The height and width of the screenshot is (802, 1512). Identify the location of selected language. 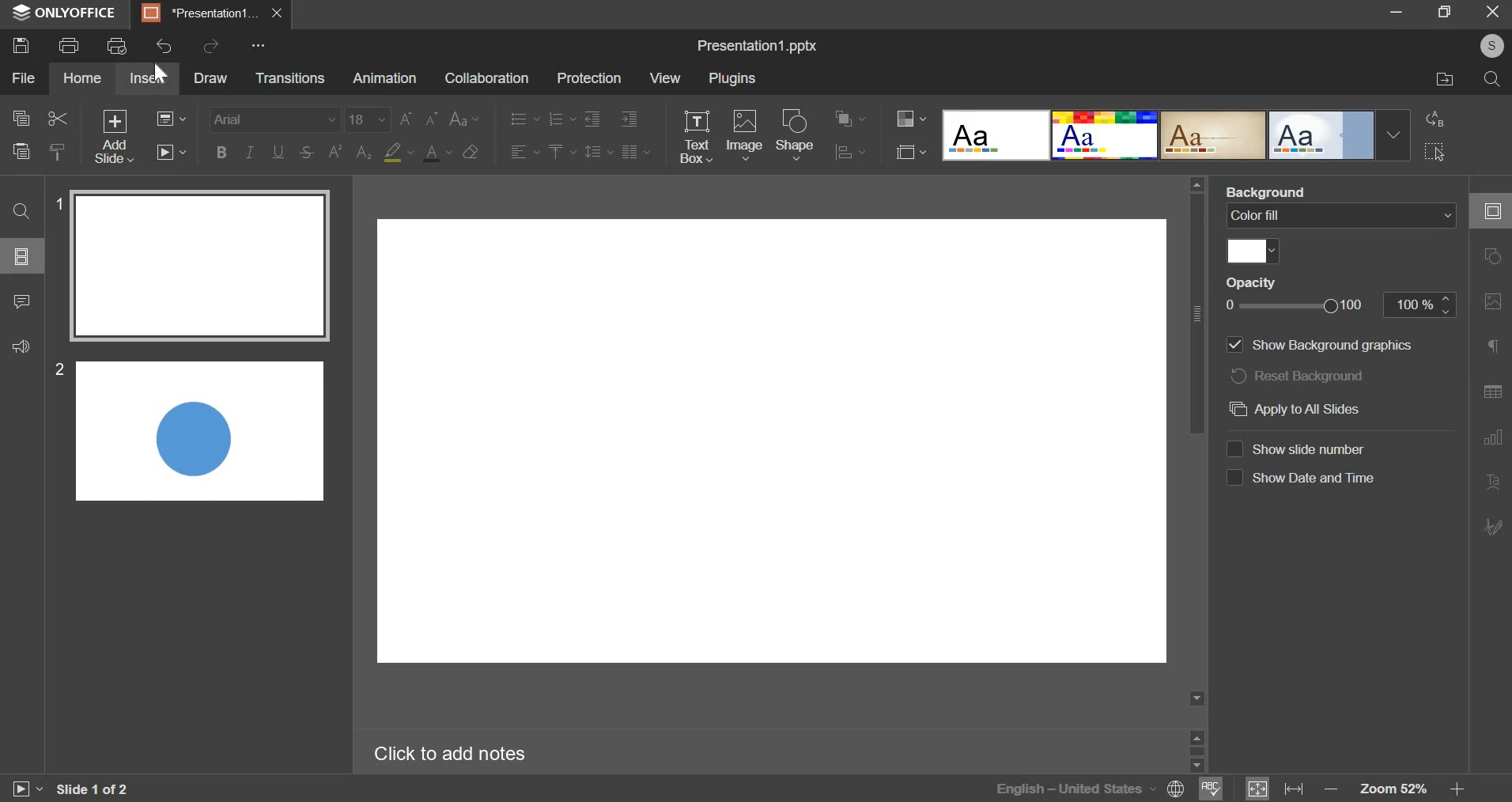
(1088, 789).